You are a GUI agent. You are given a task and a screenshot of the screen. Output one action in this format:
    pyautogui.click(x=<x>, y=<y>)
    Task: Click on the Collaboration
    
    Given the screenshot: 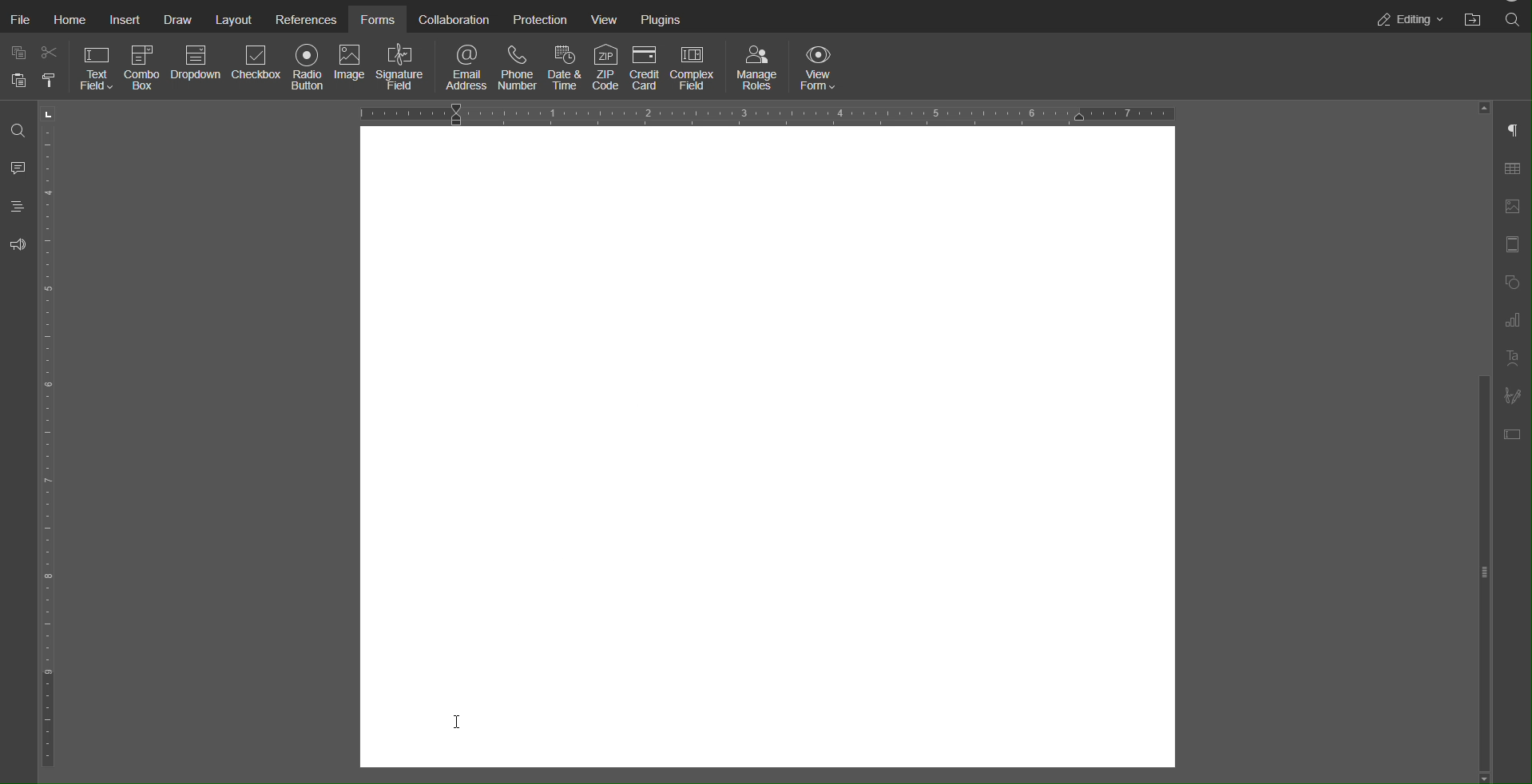 What is the action you would take?
    pyautogui.click(x=451, y=18)
    